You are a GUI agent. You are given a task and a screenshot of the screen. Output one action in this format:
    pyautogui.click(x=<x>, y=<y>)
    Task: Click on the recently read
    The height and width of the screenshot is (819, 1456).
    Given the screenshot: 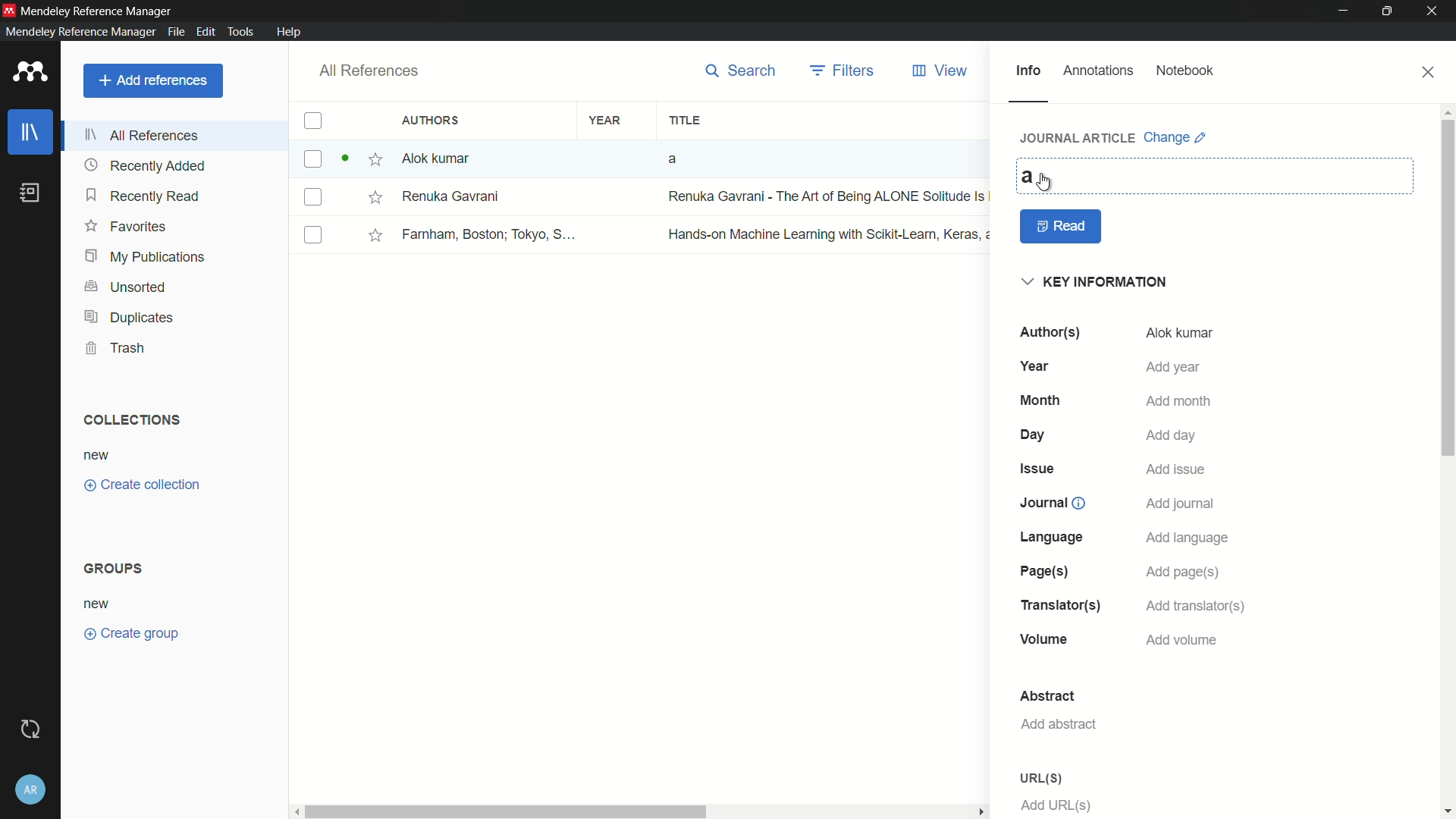 What is the action you would take?
    pyautogui.click(x=143, y=195)
    